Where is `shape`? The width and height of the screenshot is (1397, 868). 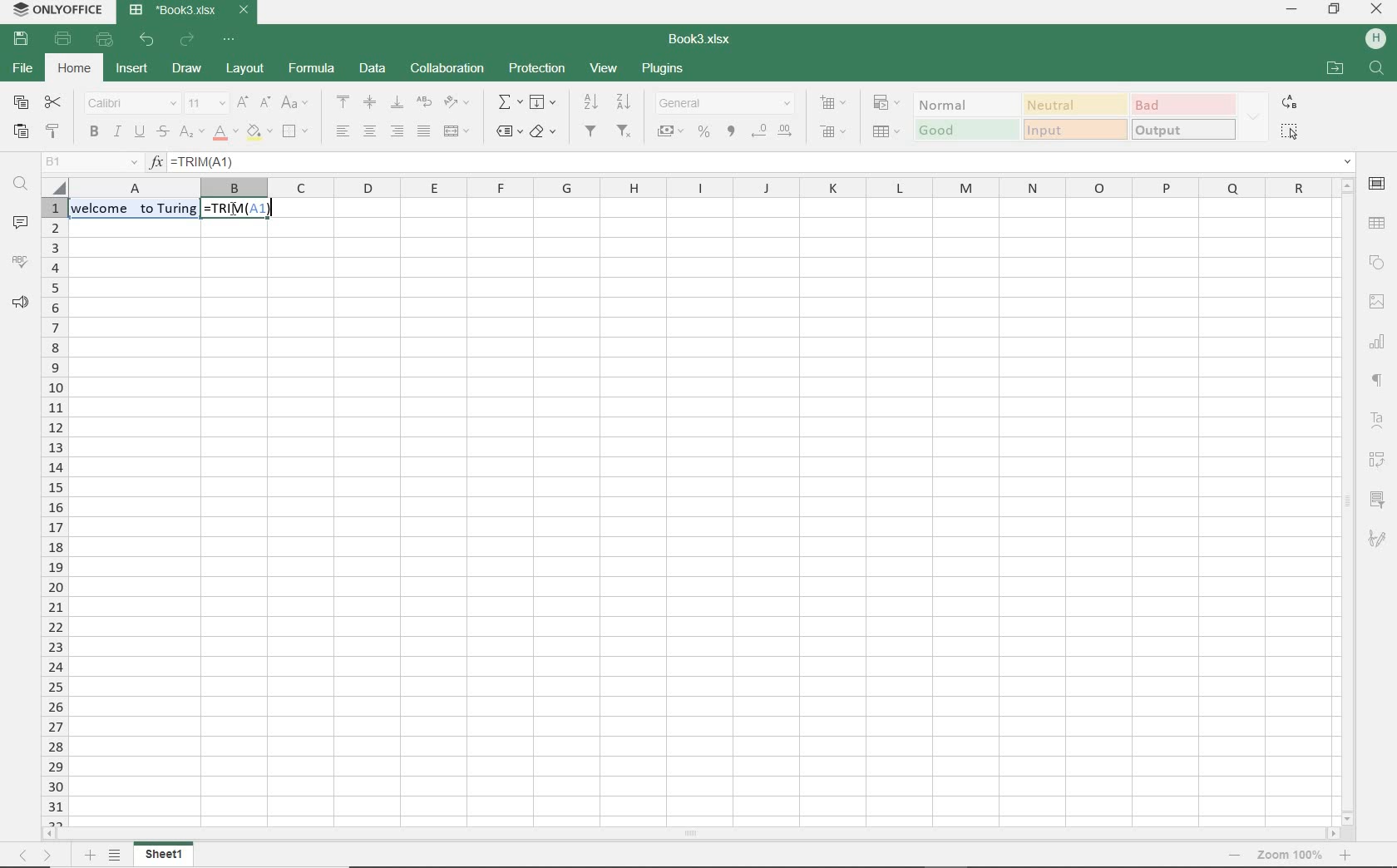
shape is located at coordinates (1376, 263).